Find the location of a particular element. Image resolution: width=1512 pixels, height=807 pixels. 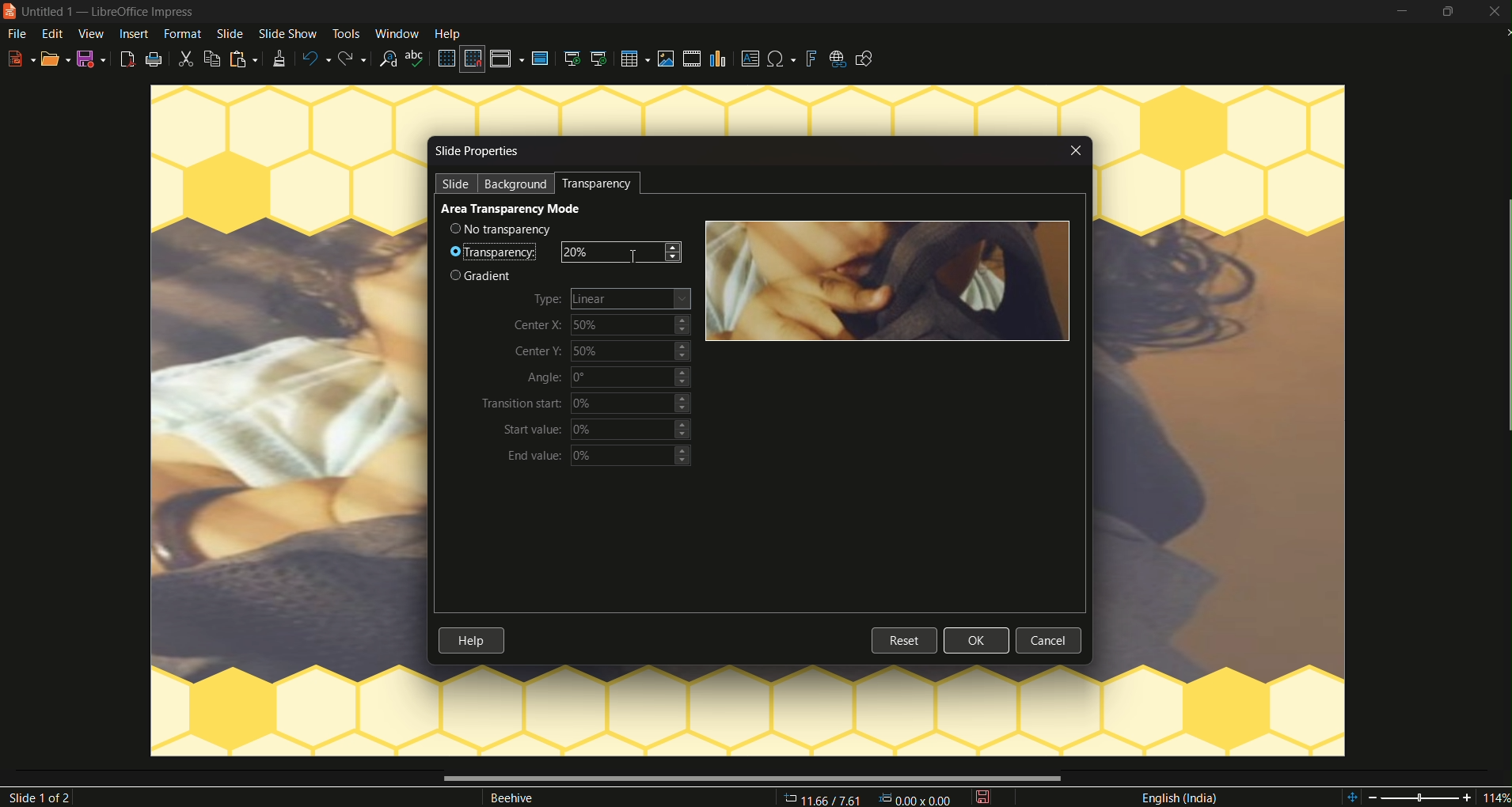

cut is located at coordinates (187, 59).